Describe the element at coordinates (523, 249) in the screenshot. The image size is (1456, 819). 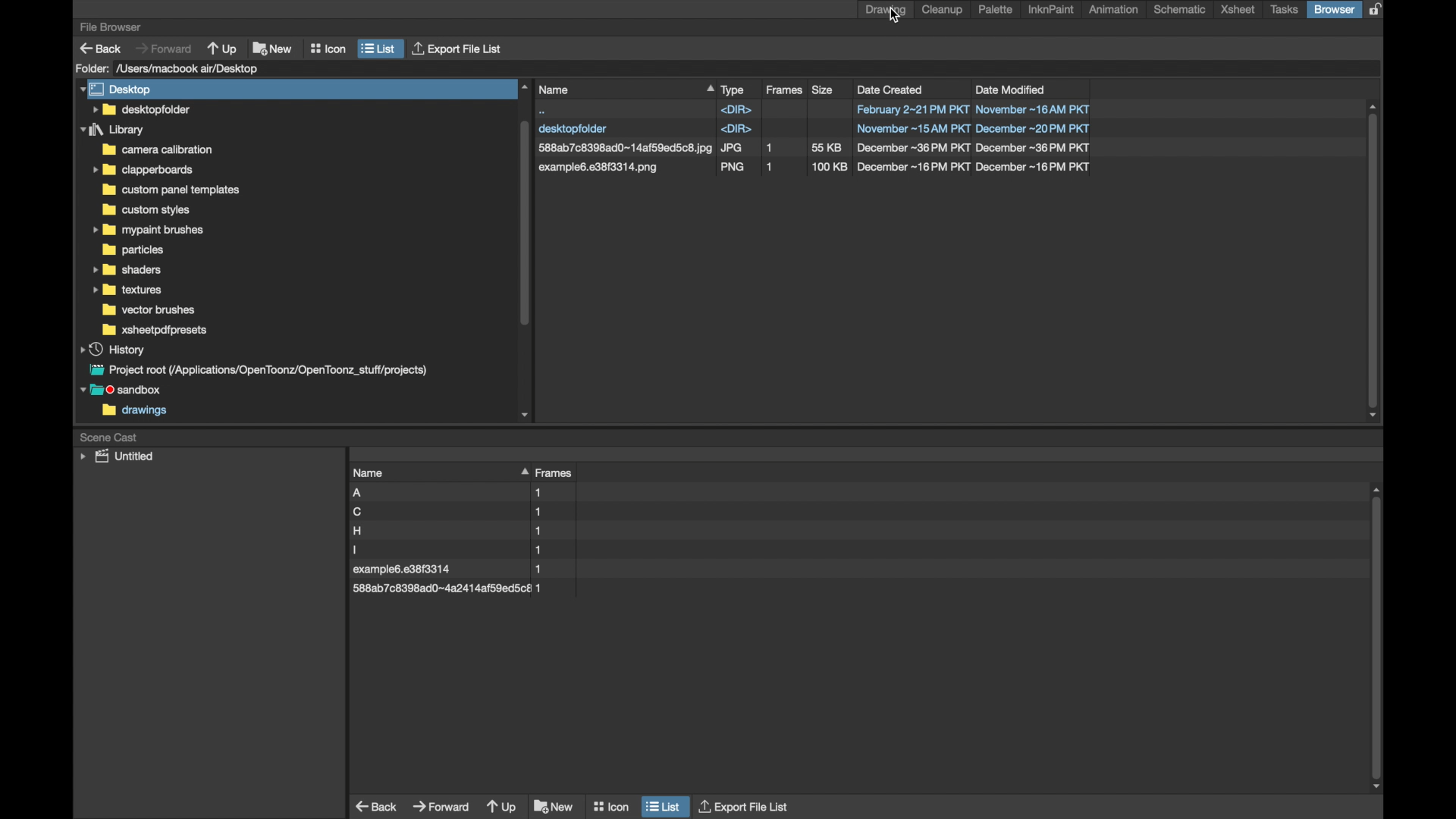
I see `scroll box` at that location.